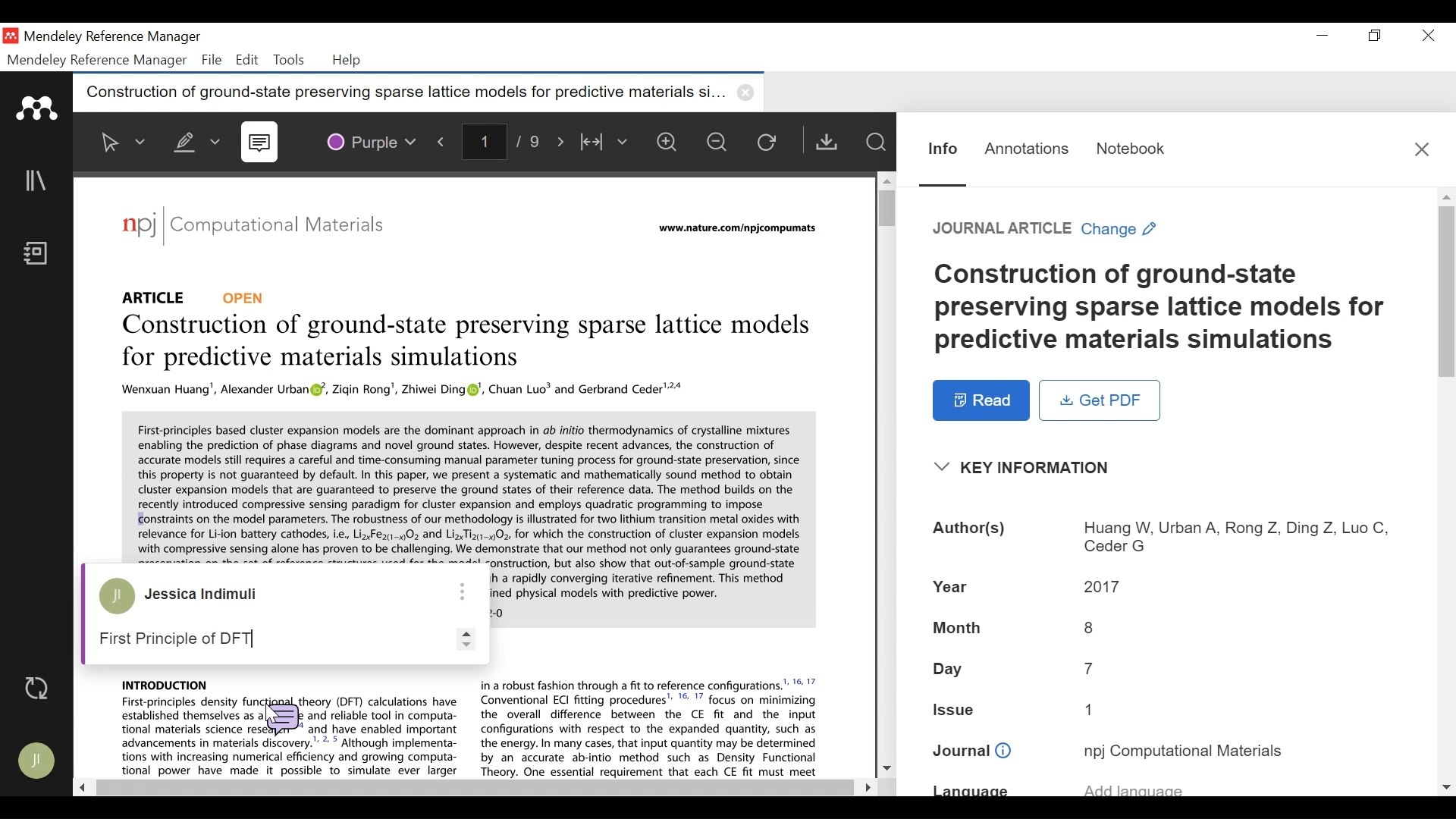 The image size is (1456, 819). What do you see at coordinates (1167, 751) in the screenshot?
I see `Journal` at bounding box center [1167, 751].